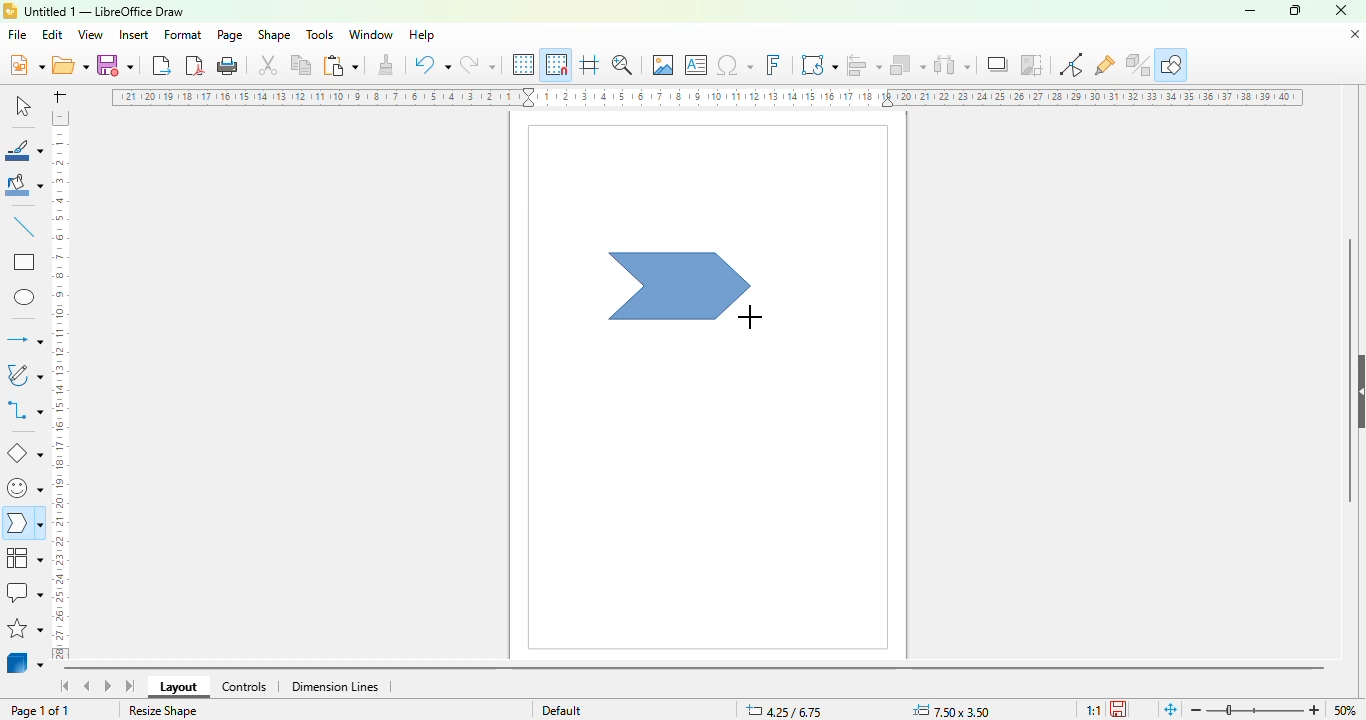 The image size is (1366, 720). Describe the element at coordinates (557, 64) in the screenshot. I see `snap to grid` at that location.